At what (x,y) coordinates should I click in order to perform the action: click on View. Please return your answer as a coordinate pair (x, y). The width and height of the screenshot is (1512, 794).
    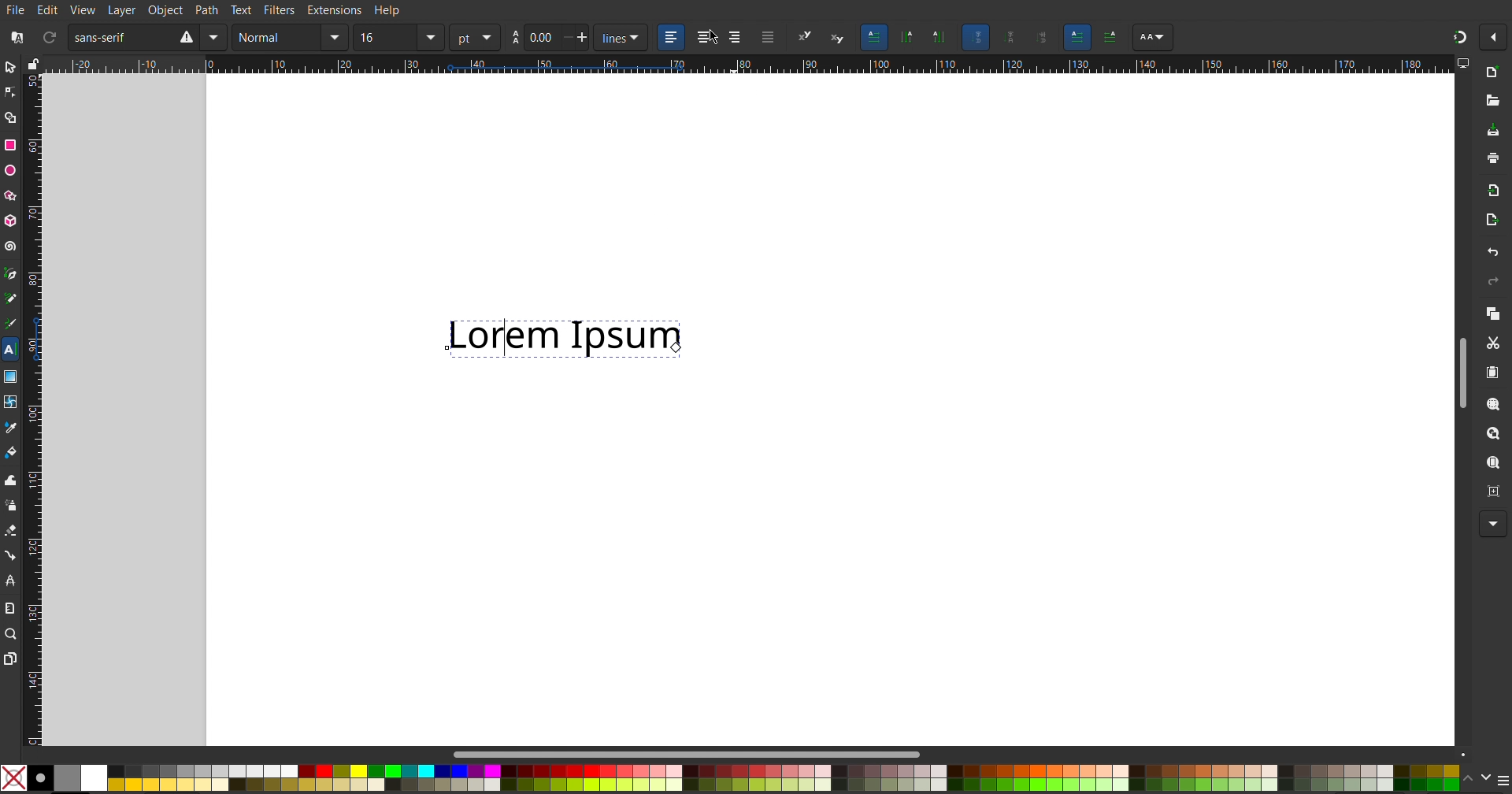
    Looking at the image, I should click on (82, 10).